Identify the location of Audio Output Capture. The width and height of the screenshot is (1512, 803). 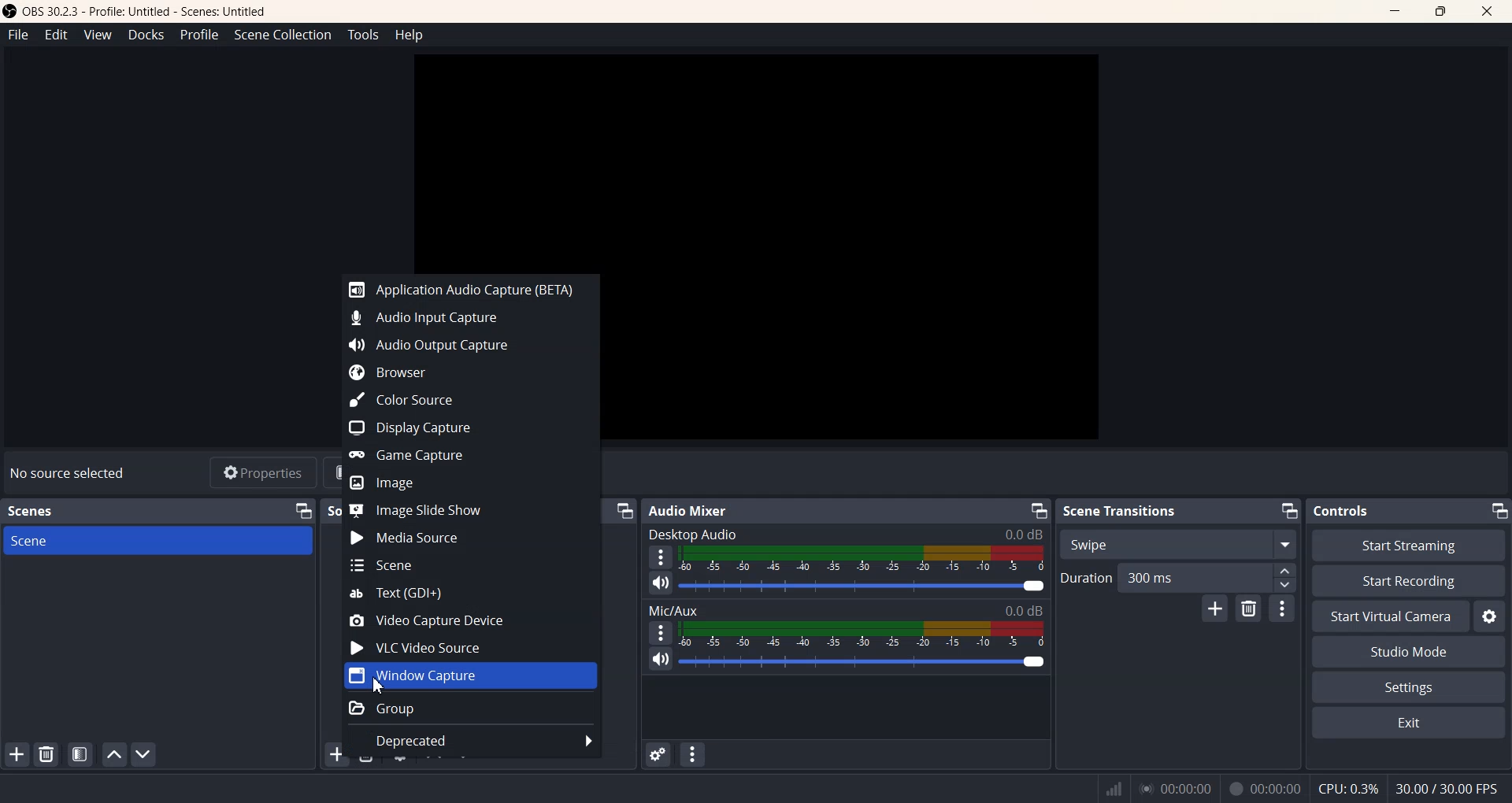
(467, 345).